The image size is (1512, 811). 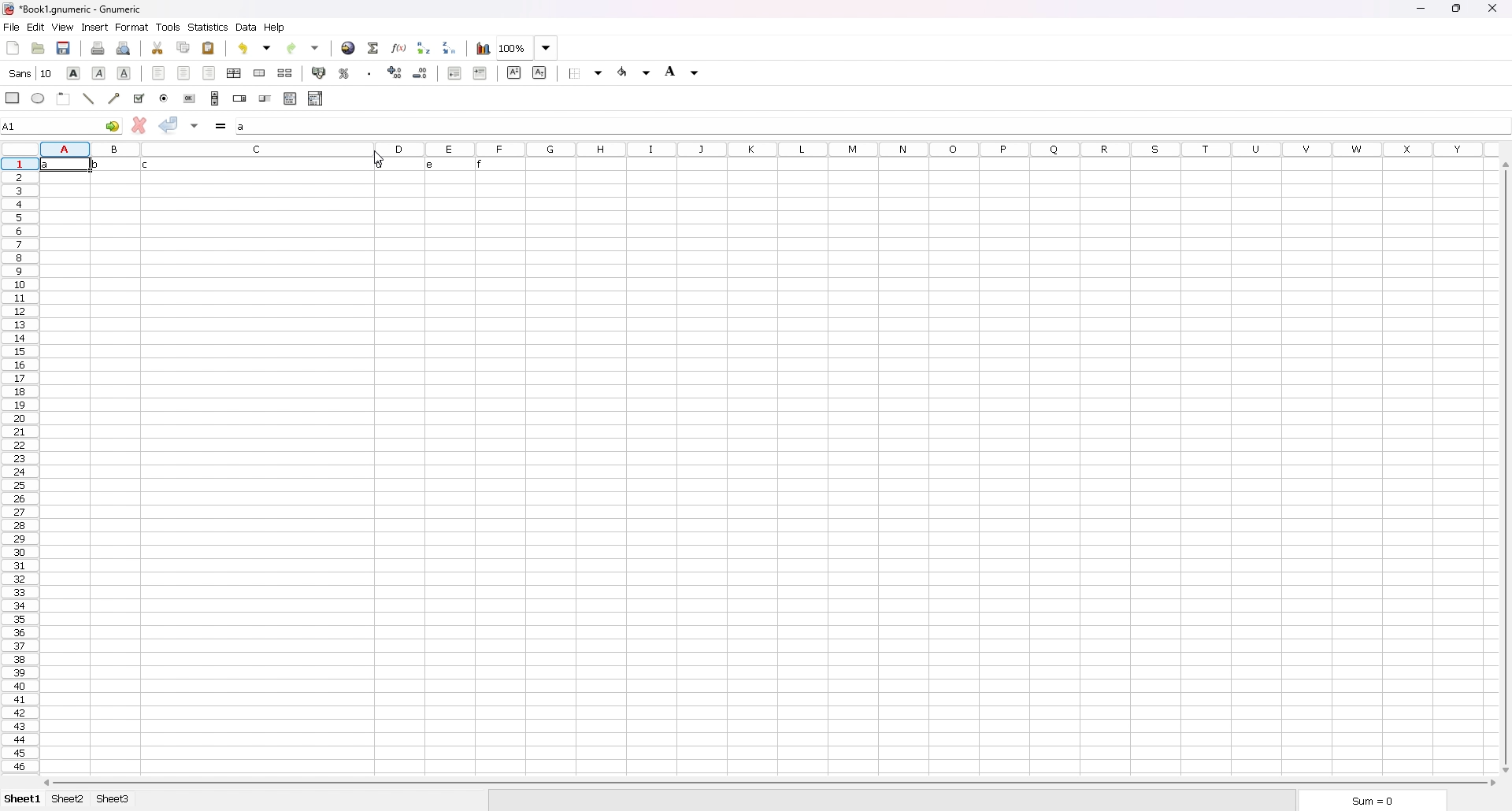 What do you see at coordinates (32, 72) in the screenshot?
I see `font` at bounding box center [32, 72].